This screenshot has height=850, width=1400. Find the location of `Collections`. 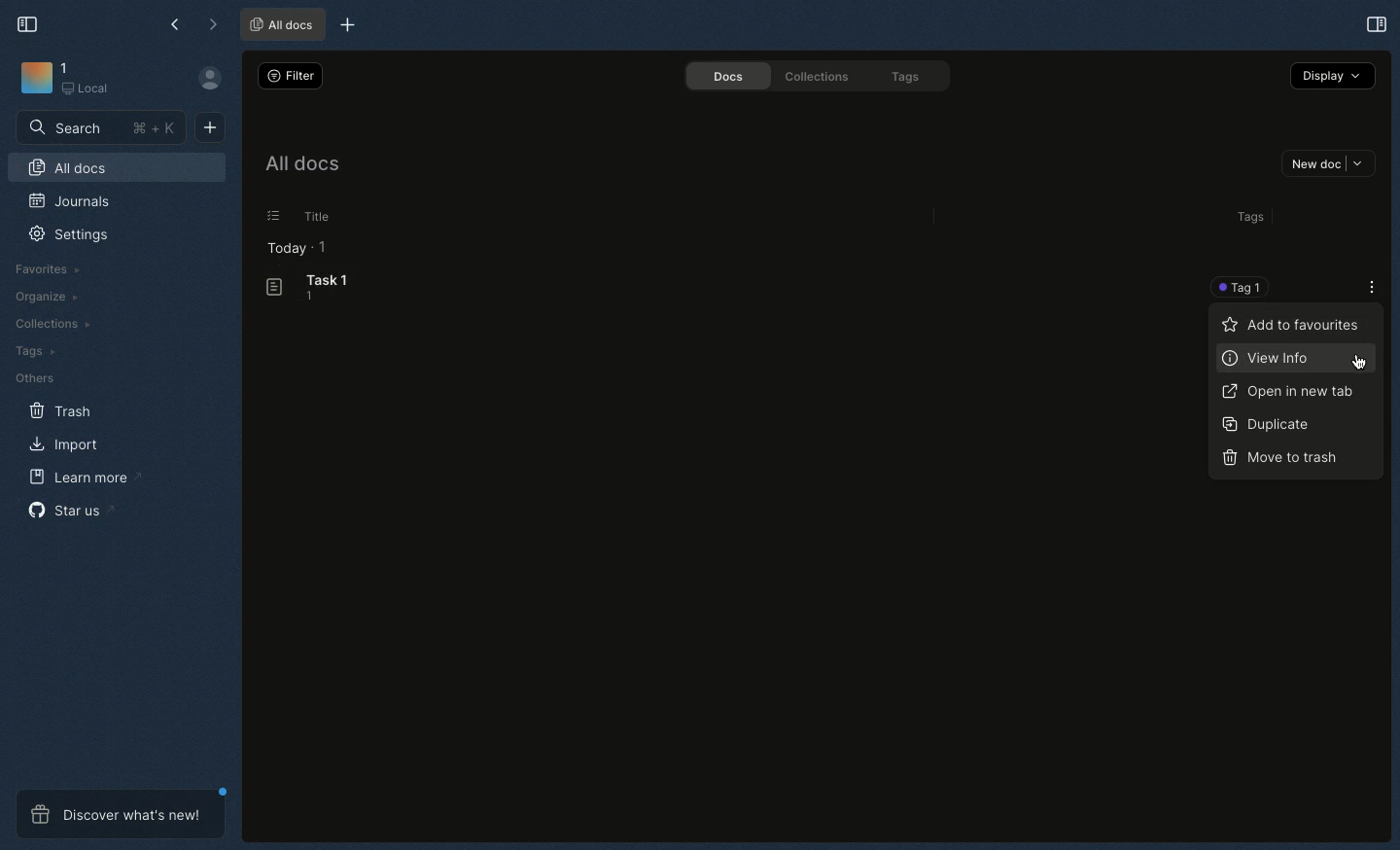

Collections is located at coordinates (818, 79).